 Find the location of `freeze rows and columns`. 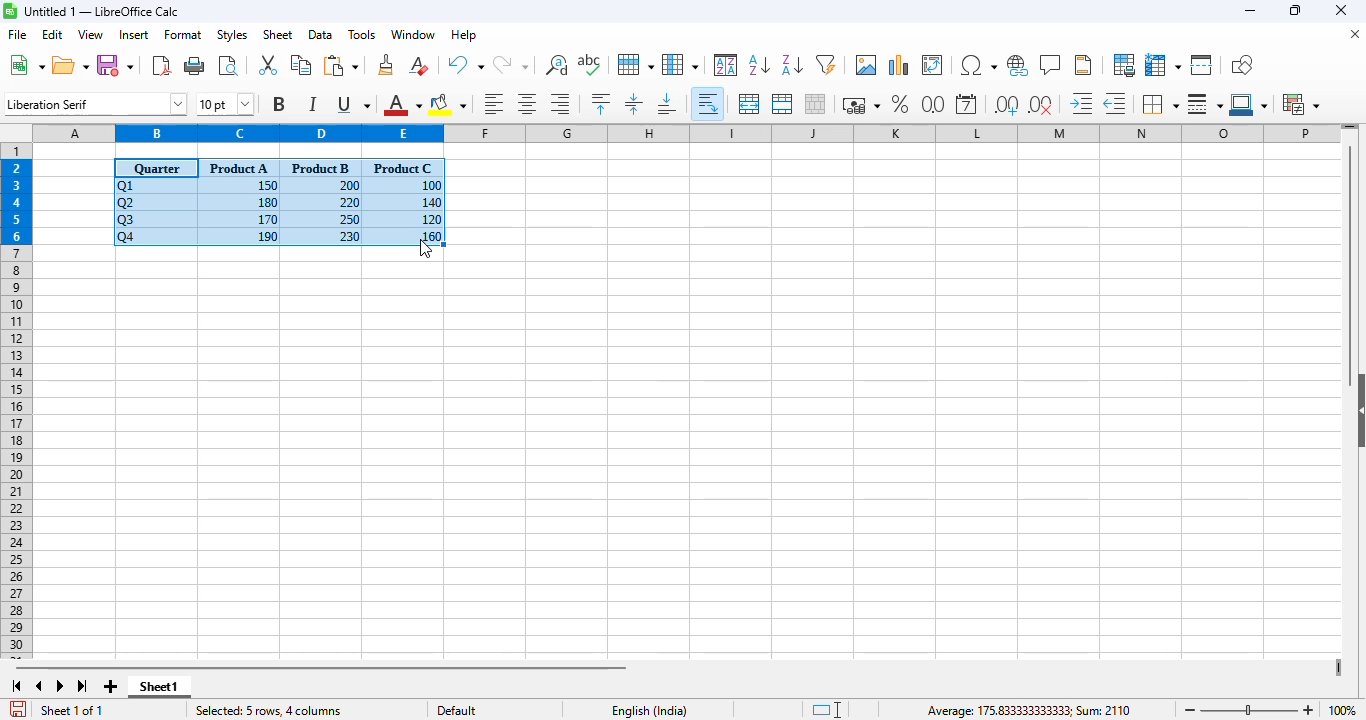

freeze rows and columns is located at coordinates (1163, 65).